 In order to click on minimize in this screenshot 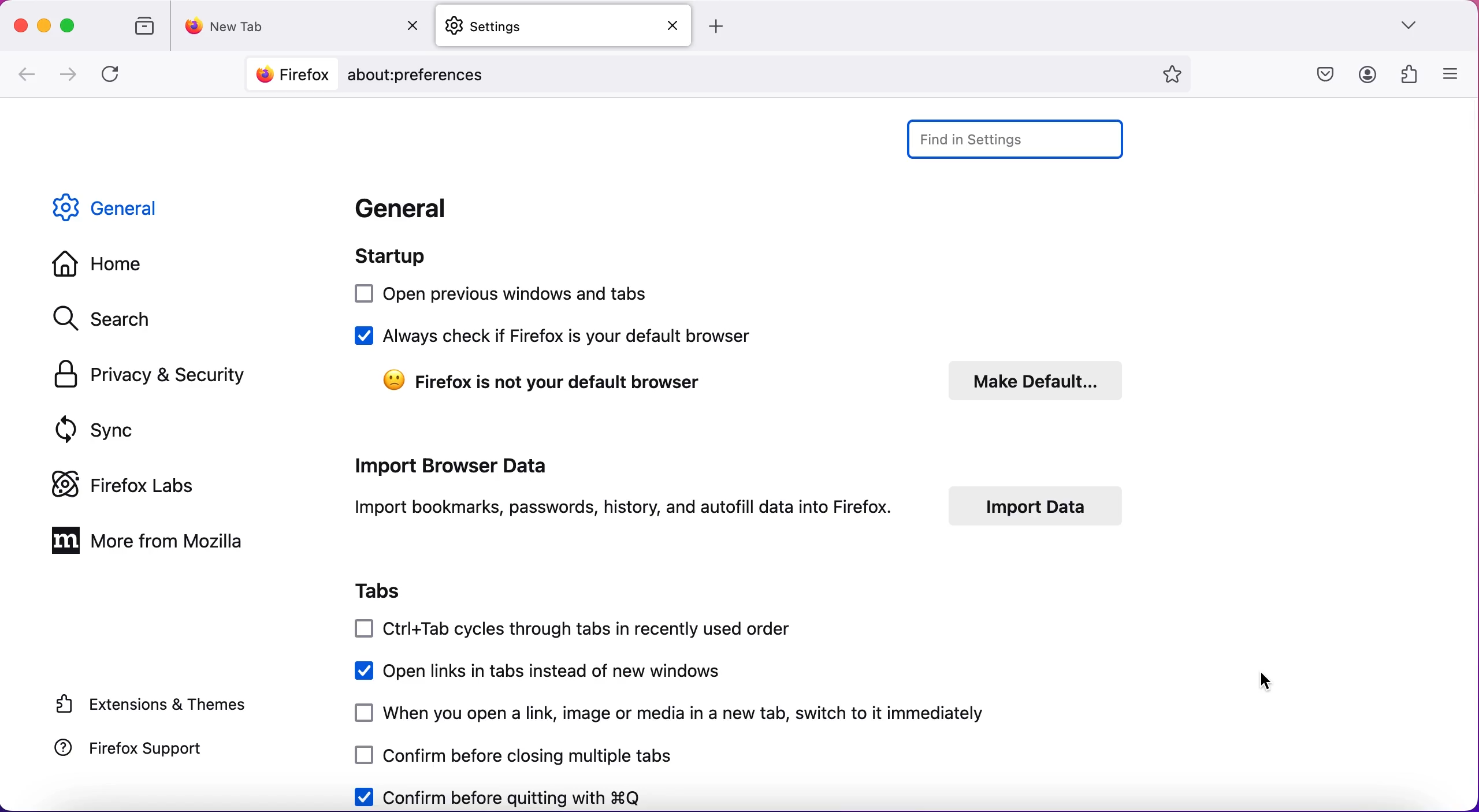, I will do `click(44, 24)`.